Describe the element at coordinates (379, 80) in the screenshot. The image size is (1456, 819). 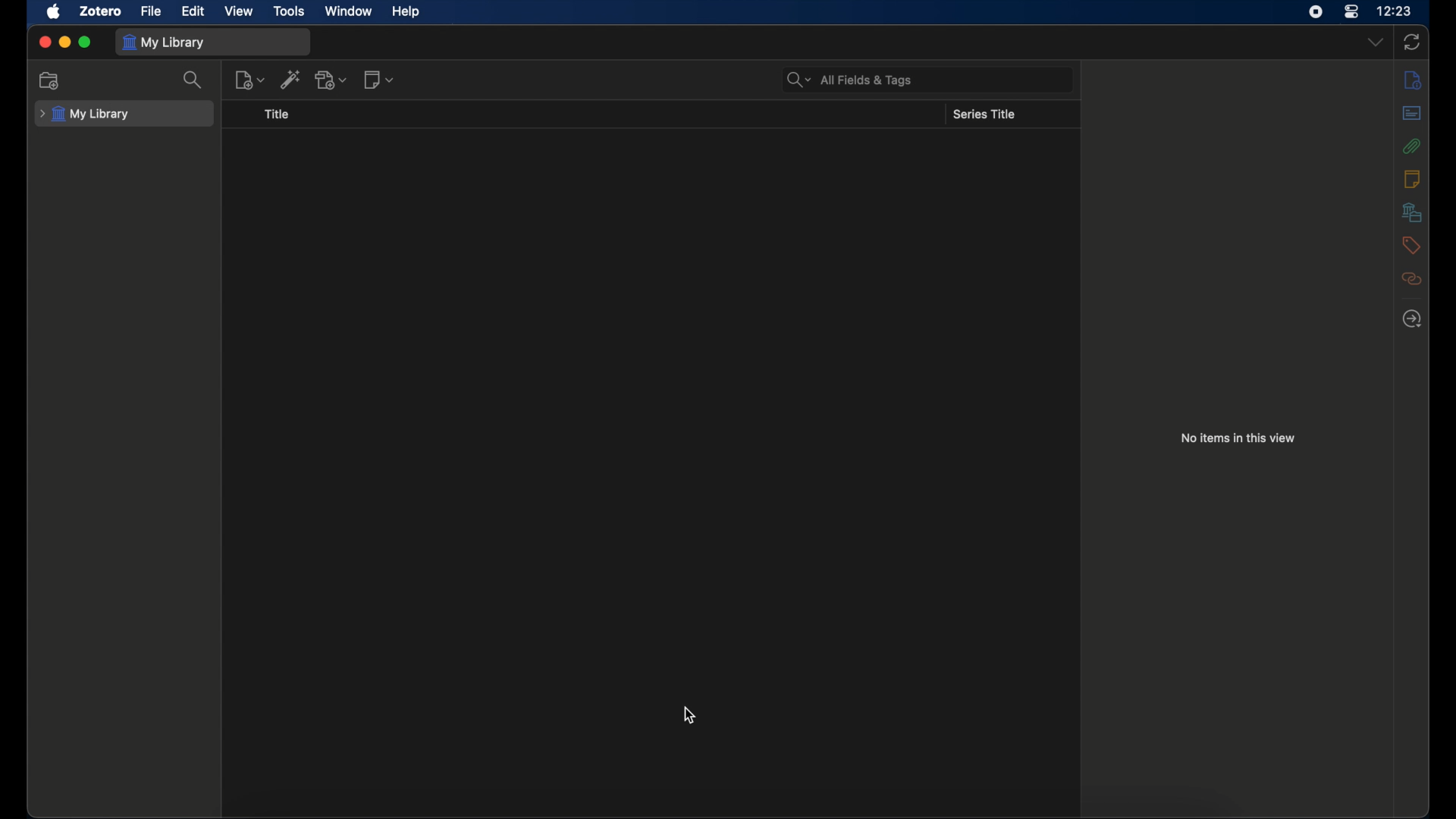
I see `new notes` at that location.